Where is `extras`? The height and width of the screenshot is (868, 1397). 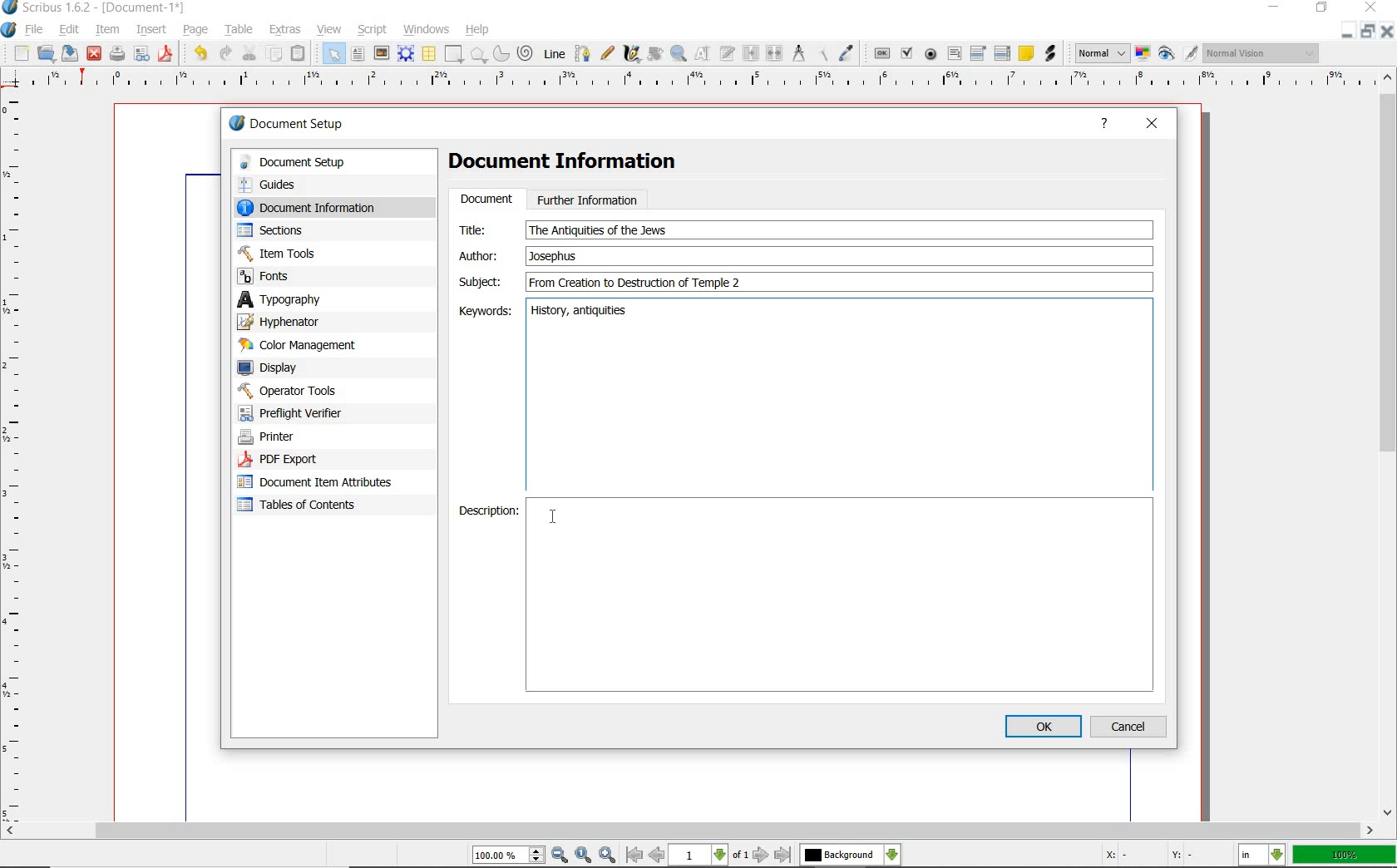
extras is located at coordinates (286, 30).